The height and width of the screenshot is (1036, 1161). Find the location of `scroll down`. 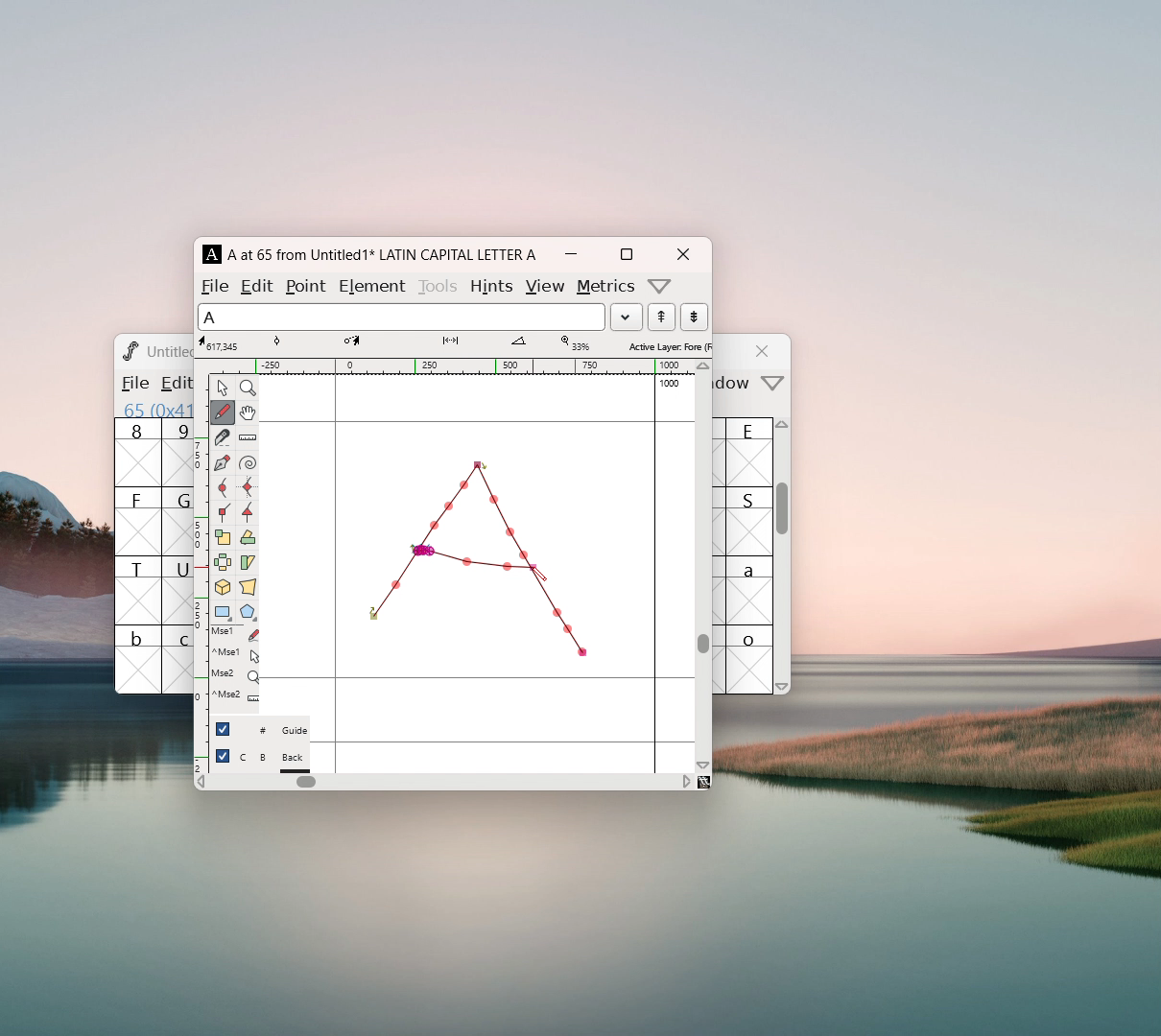

scroll down is located at coordinates (783, 686).